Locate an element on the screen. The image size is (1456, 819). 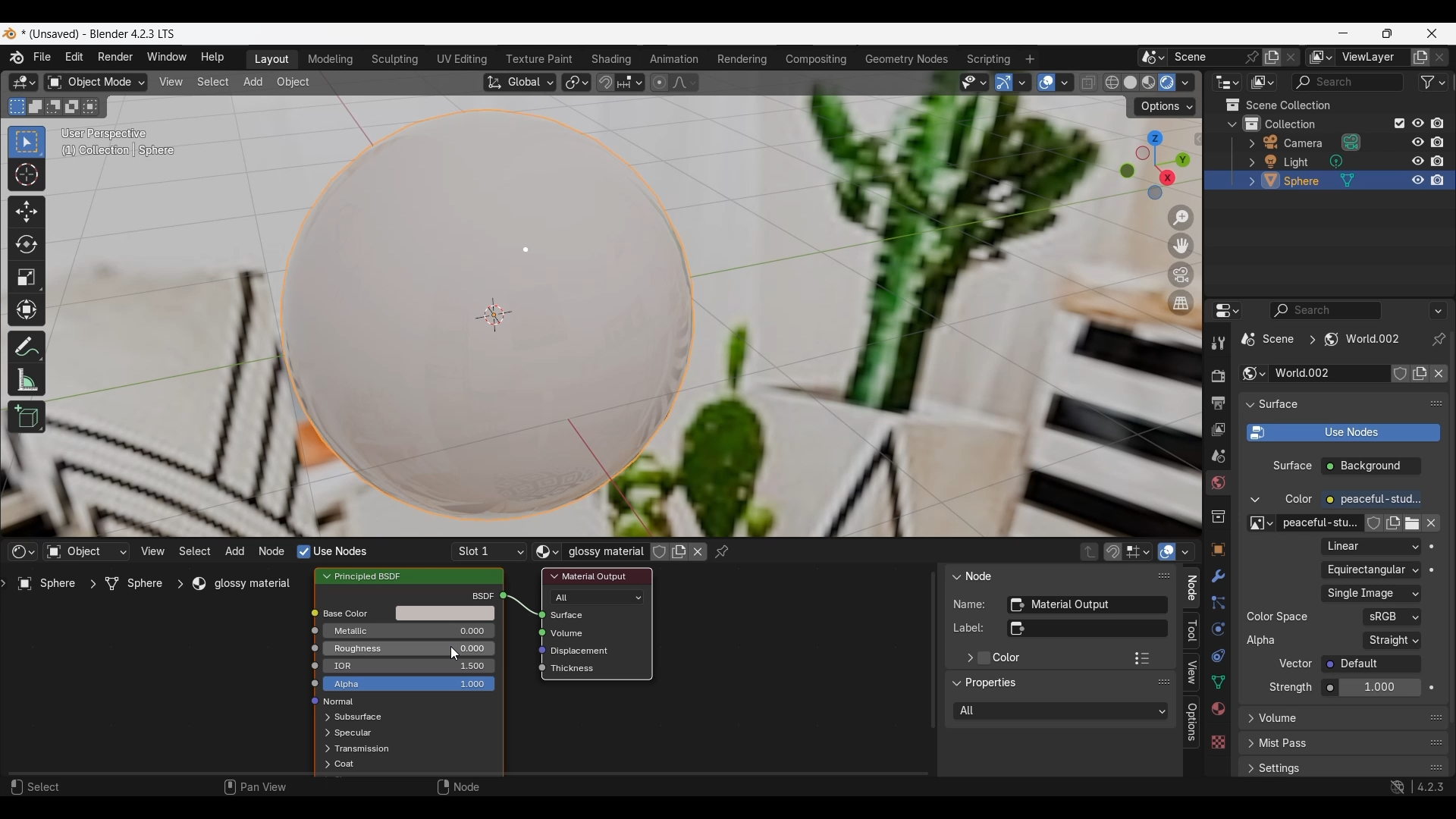
Add color to material output panel is located at coordinates (984, 658).